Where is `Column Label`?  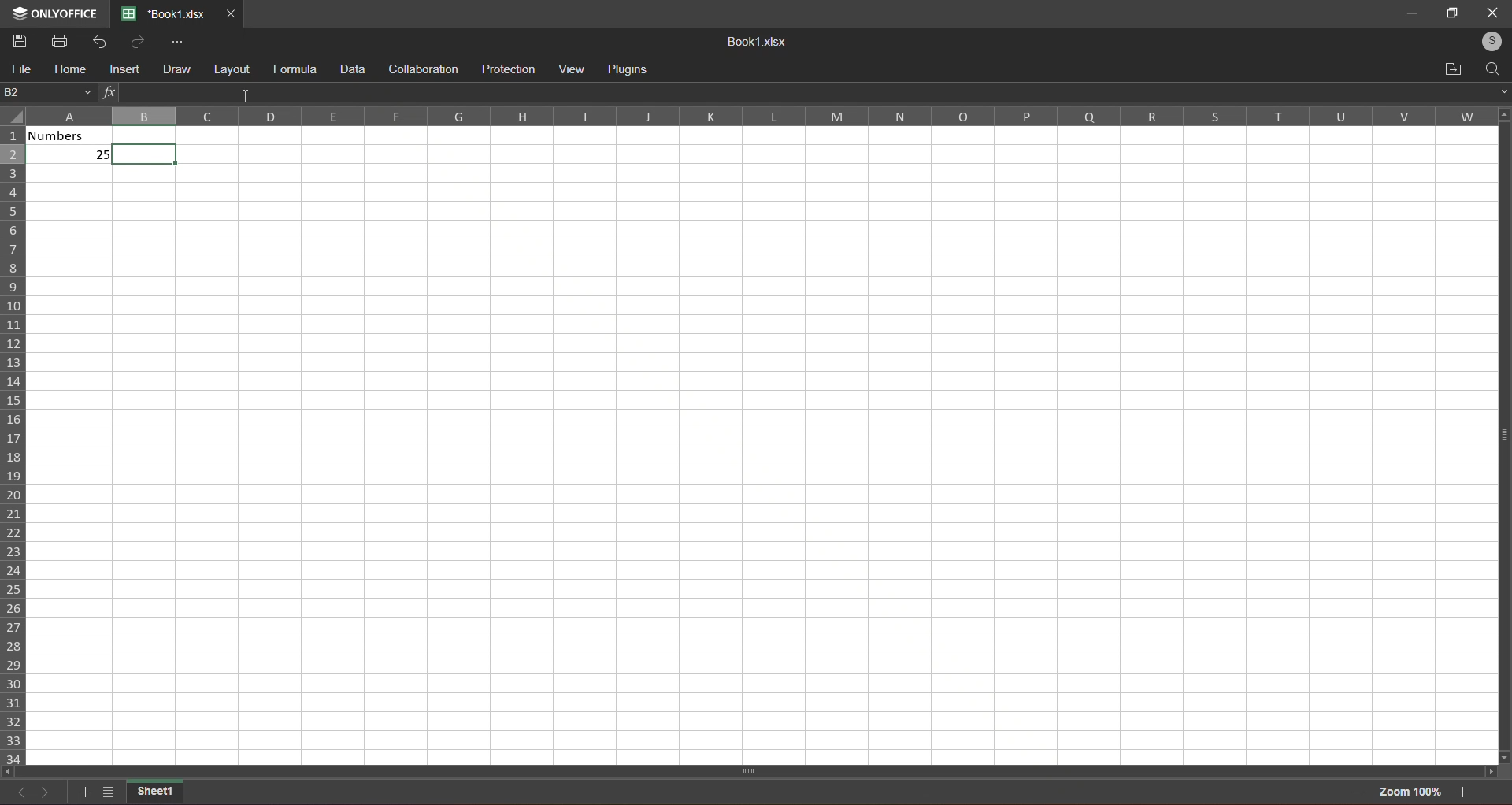 Column Label is located at coordinates (752, 118).